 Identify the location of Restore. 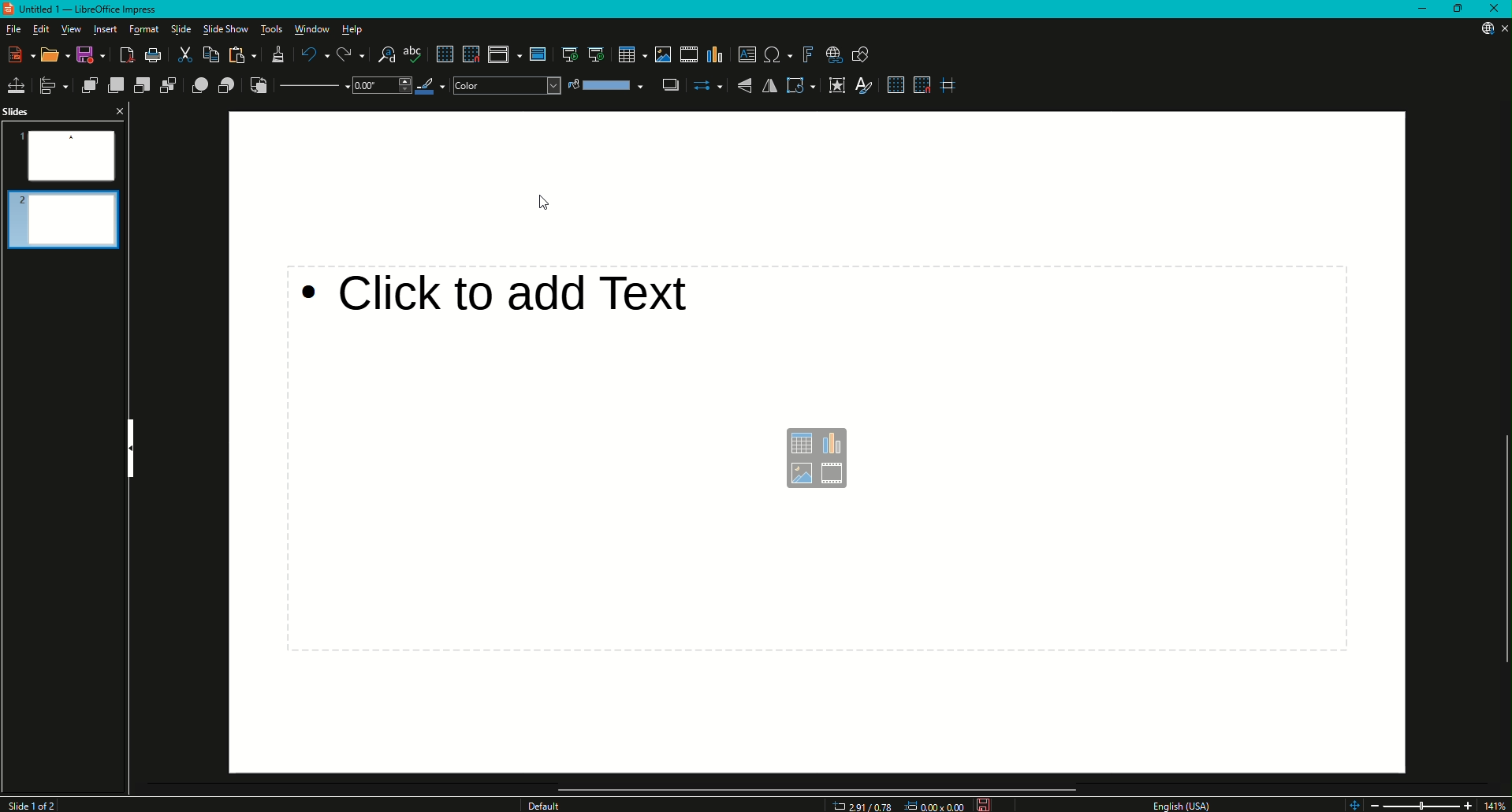
(1459, 9).